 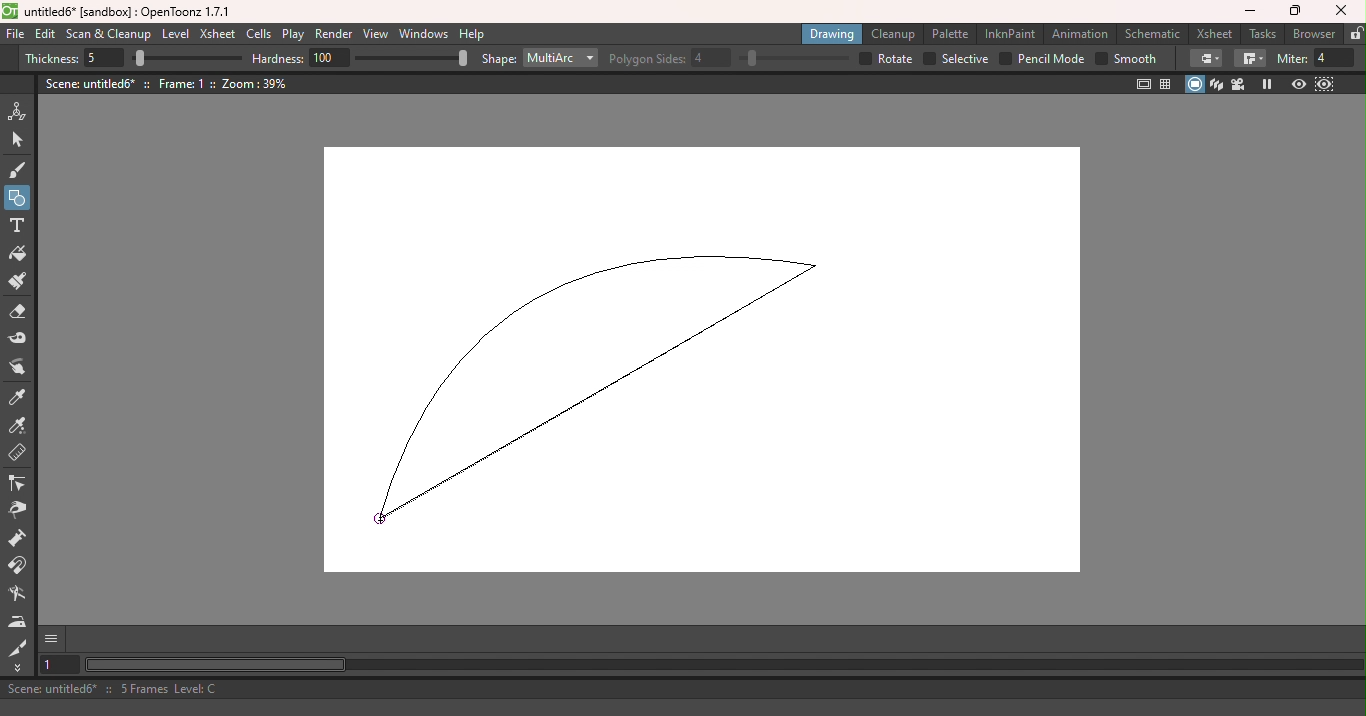 What do you see at coordinates (21, 513) in the screenshot?
I see `Pinch tool` at bounding box center [21, 513].